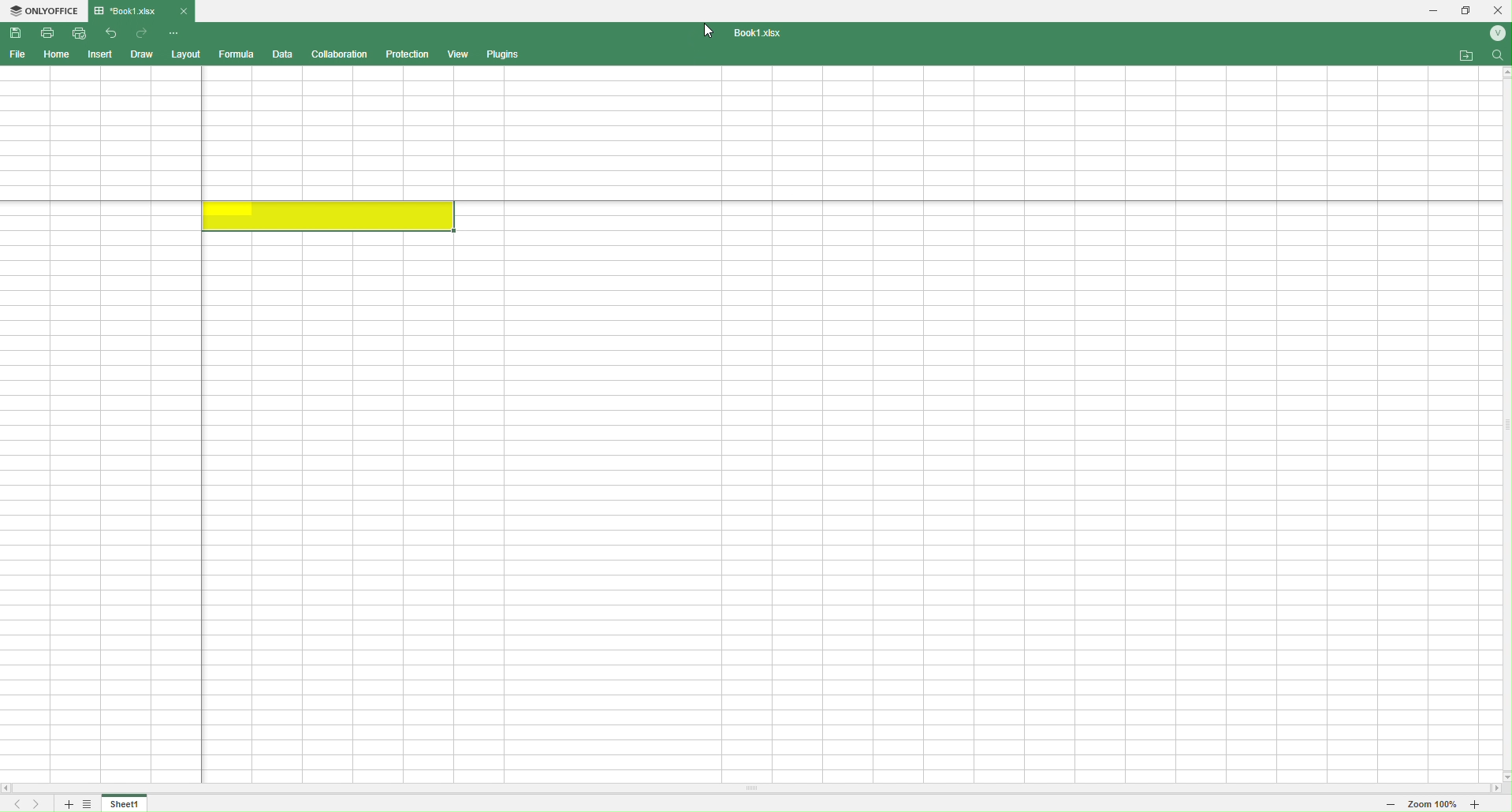 The height and width of the screenshot is (812, 1512). I want to click on Redo, so click(143, 35).